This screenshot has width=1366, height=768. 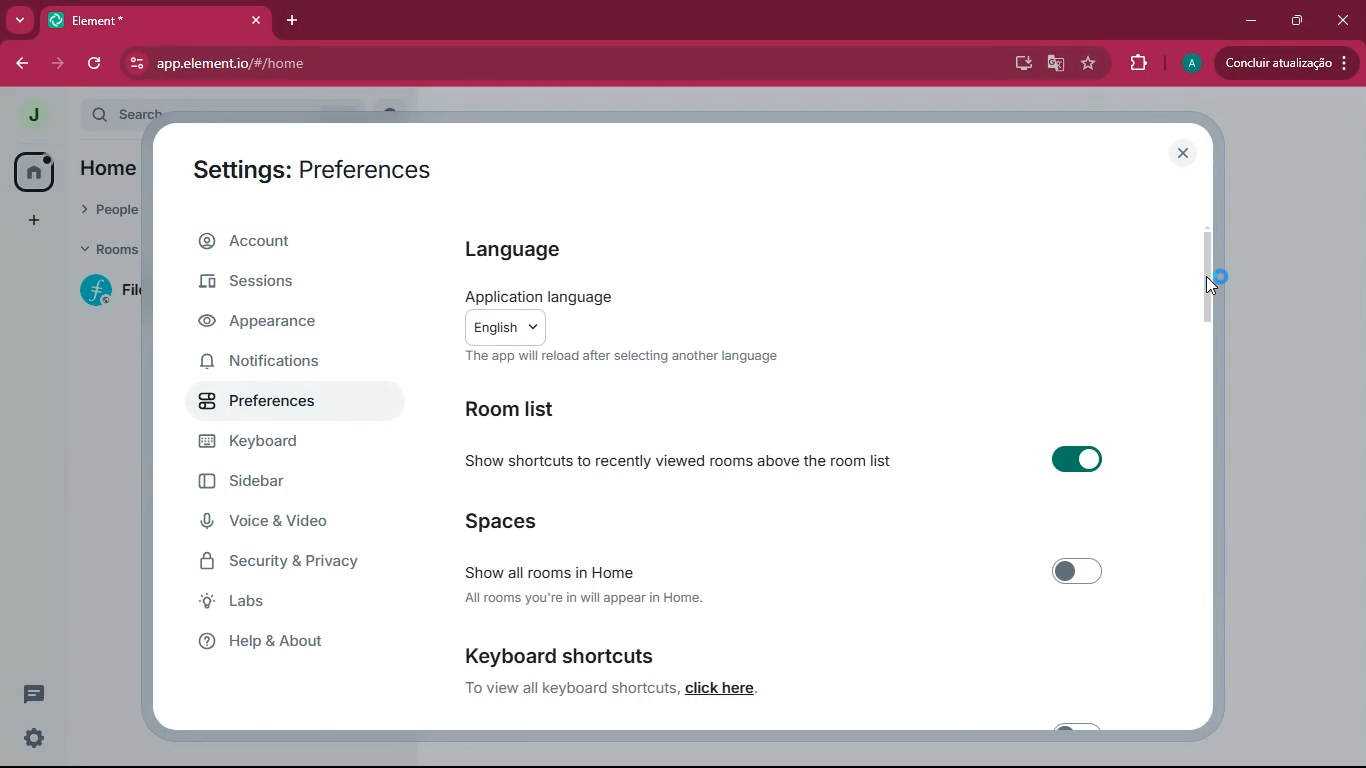 What do you see at coordinates (592, 601) in the screenshot?
I see `All rooms you're in will appear in Home.` at bounding box center [592, 601].